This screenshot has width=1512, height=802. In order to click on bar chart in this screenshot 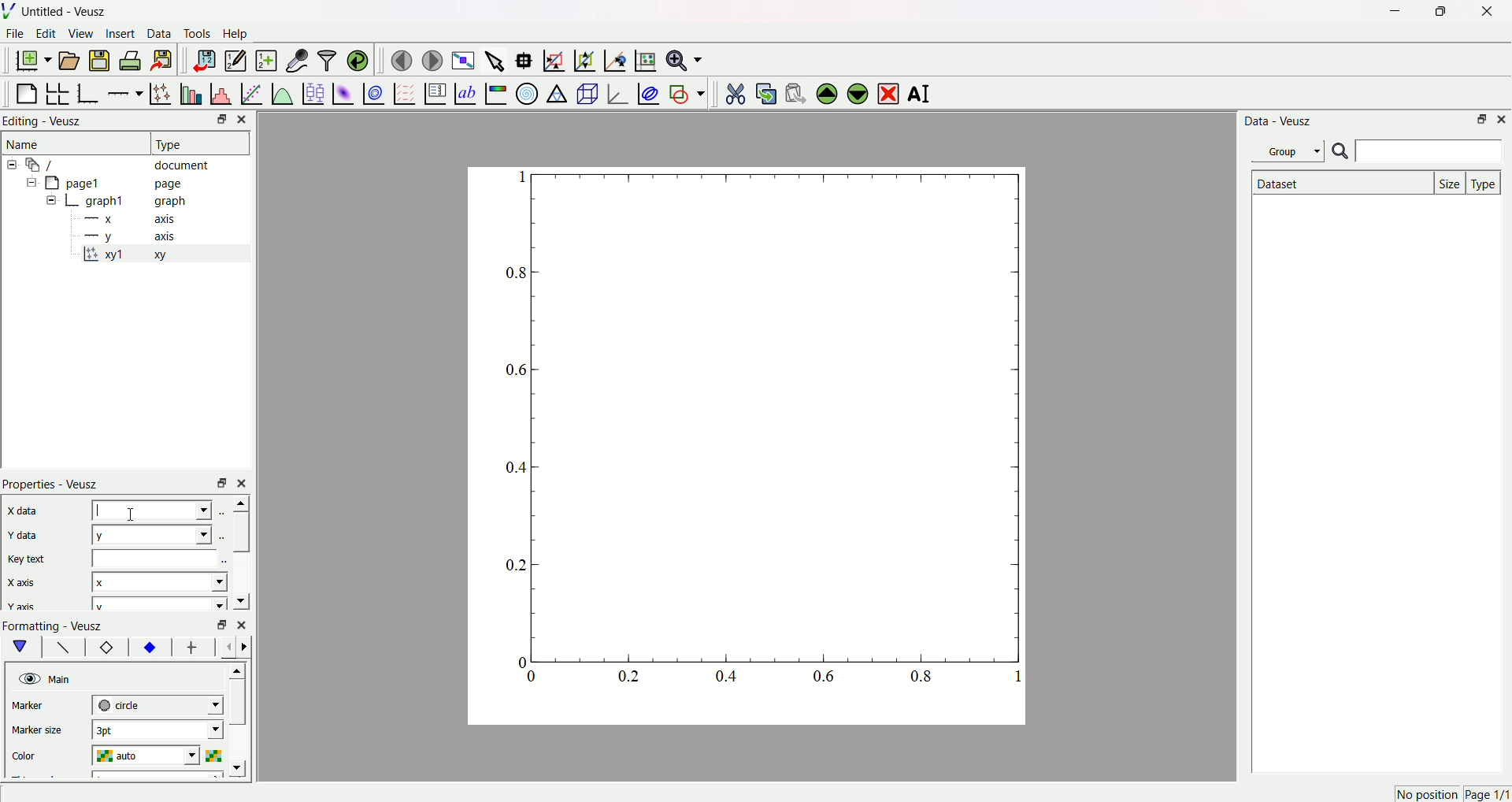, I will do `click(189, 91)`.